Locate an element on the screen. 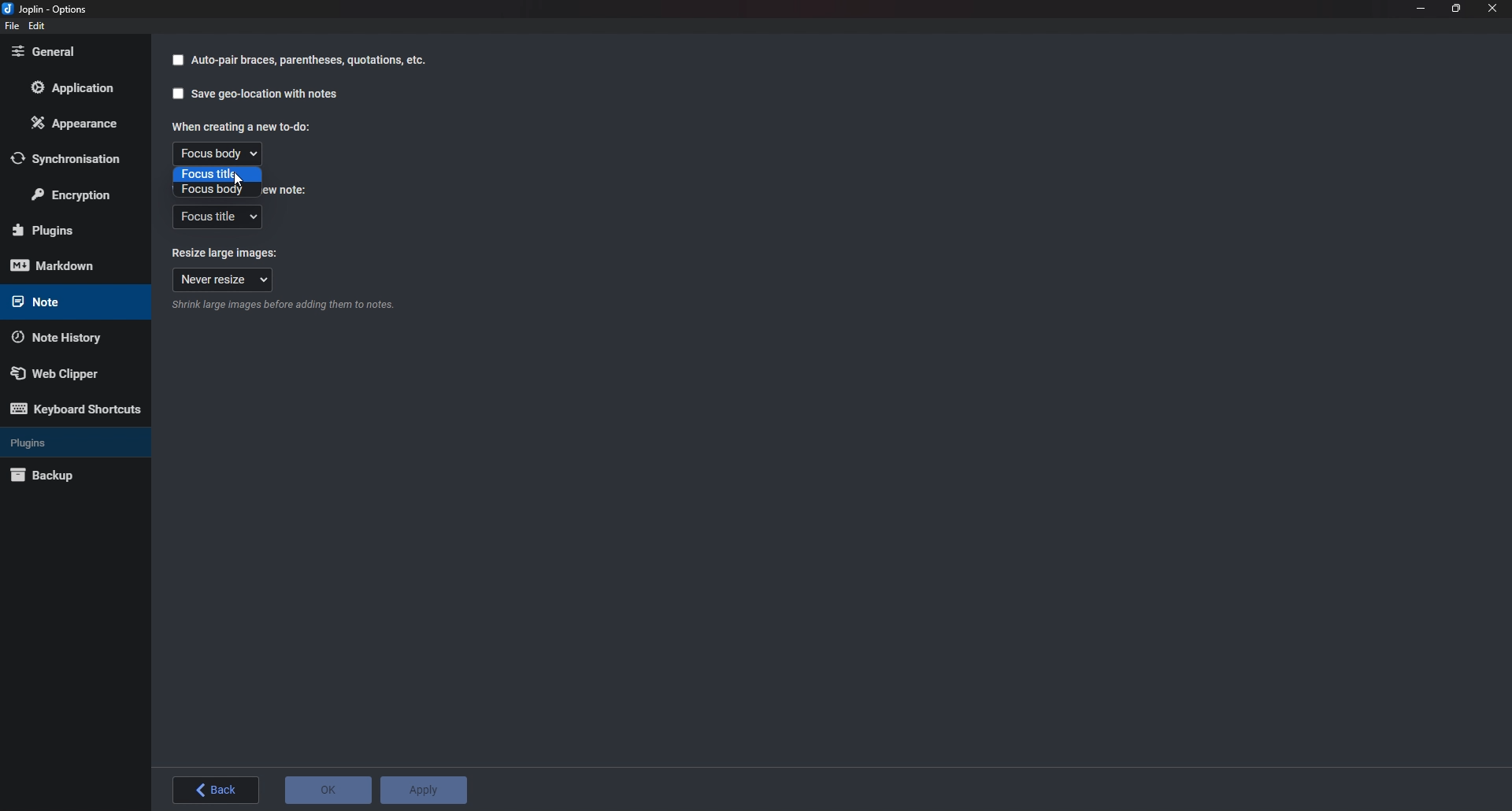 This screenshot has width=1512, height=811. cursor is located at coordinates (238, 181).